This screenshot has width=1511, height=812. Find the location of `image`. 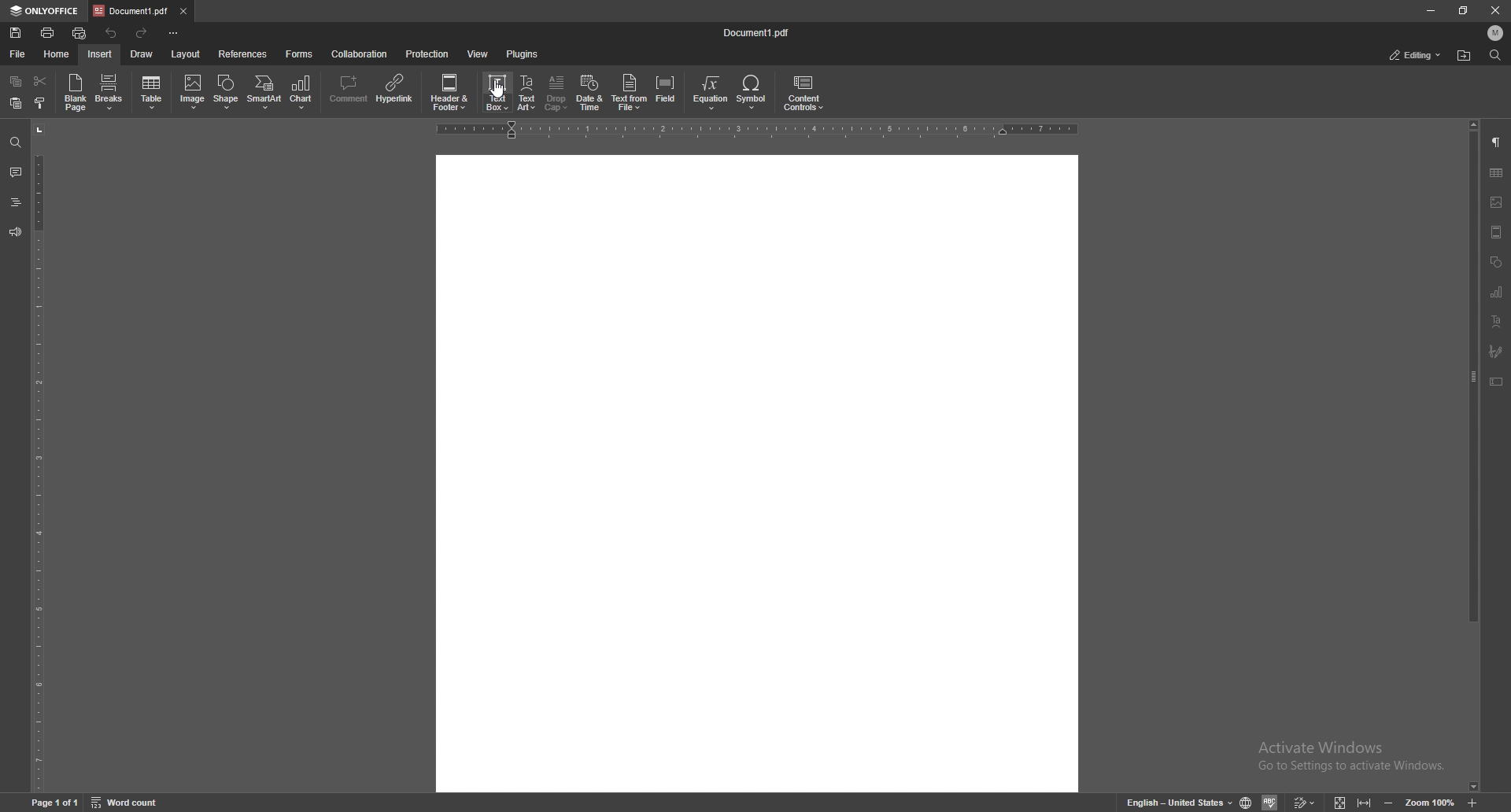

image is located at coordinates (1498, 202).